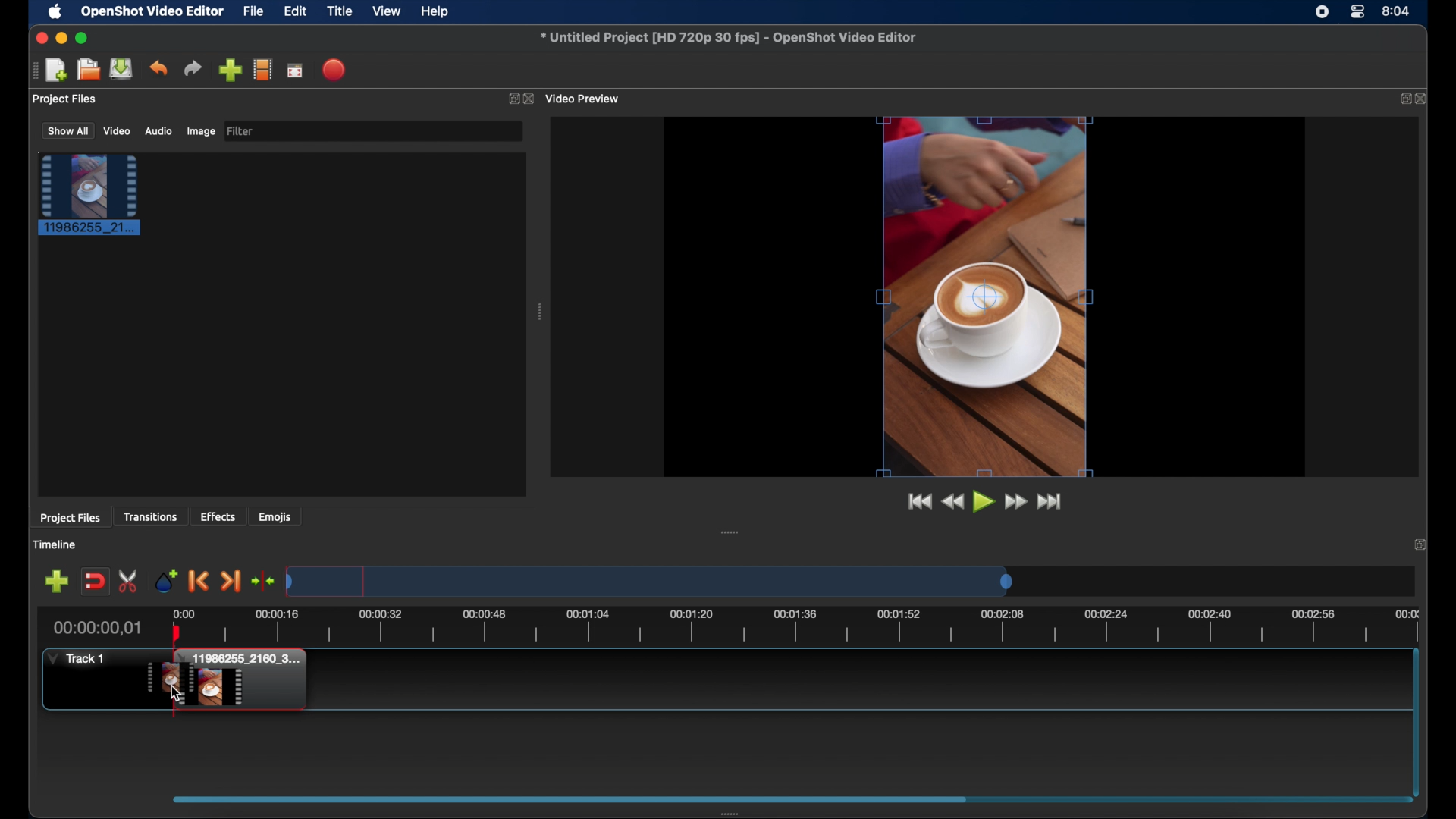 The height and width of the screenshot is (819, 1456). What do you see at coordinates (1049, 502) in the screenshot?
I see `jump to end` at bounding box center [1049, 502].